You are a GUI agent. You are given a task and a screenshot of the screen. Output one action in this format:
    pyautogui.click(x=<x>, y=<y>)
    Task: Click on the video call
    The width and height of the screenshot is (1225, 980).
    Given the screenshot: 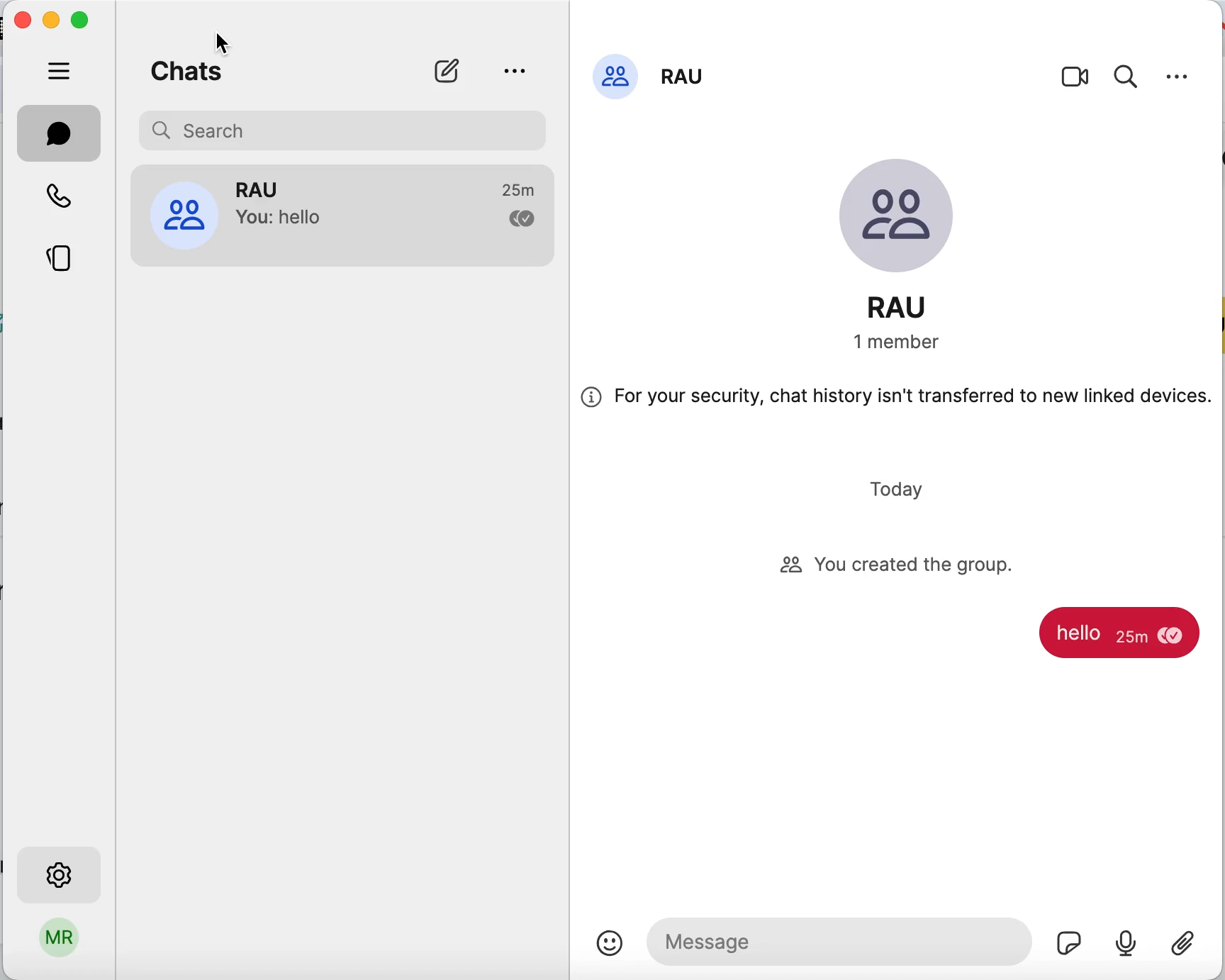 What is the action you would take?
    pyautogui.click(x=1079, y=76)
    